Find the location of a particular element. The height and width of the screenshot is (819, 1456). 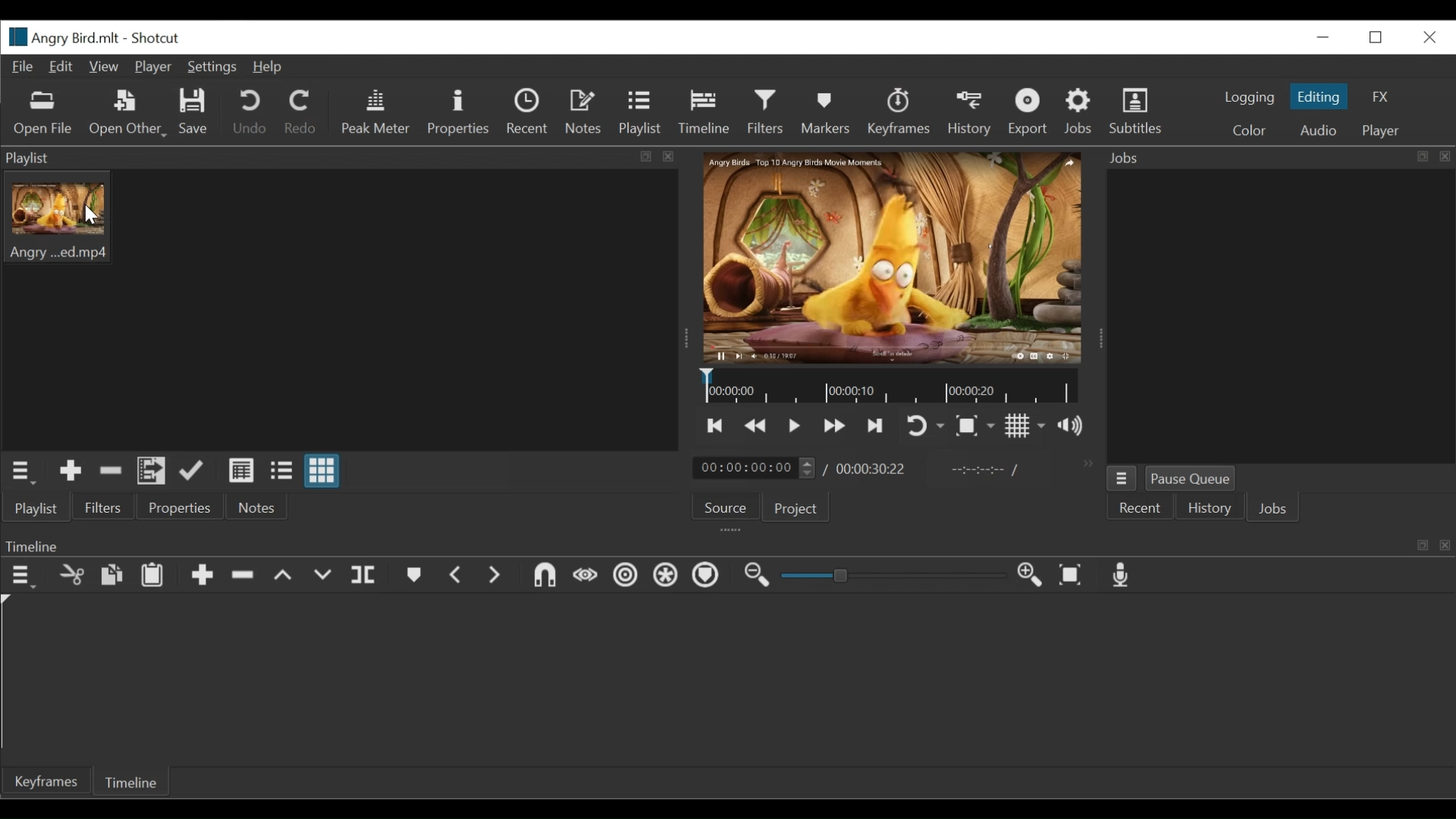

History is located at coordinates (970, 113).